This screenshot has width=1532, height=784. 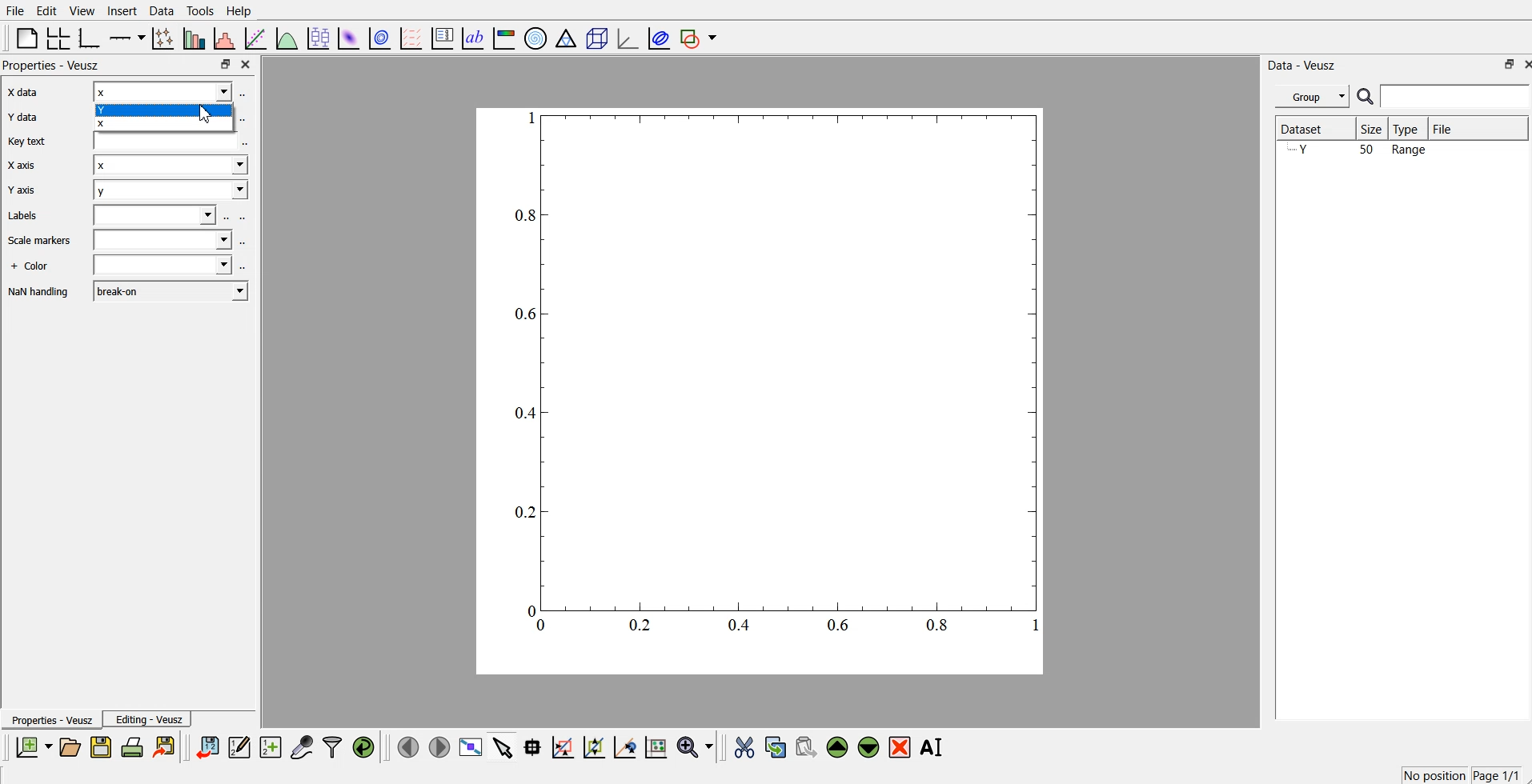 I want to click on blank page, so click(x=24, y=38).